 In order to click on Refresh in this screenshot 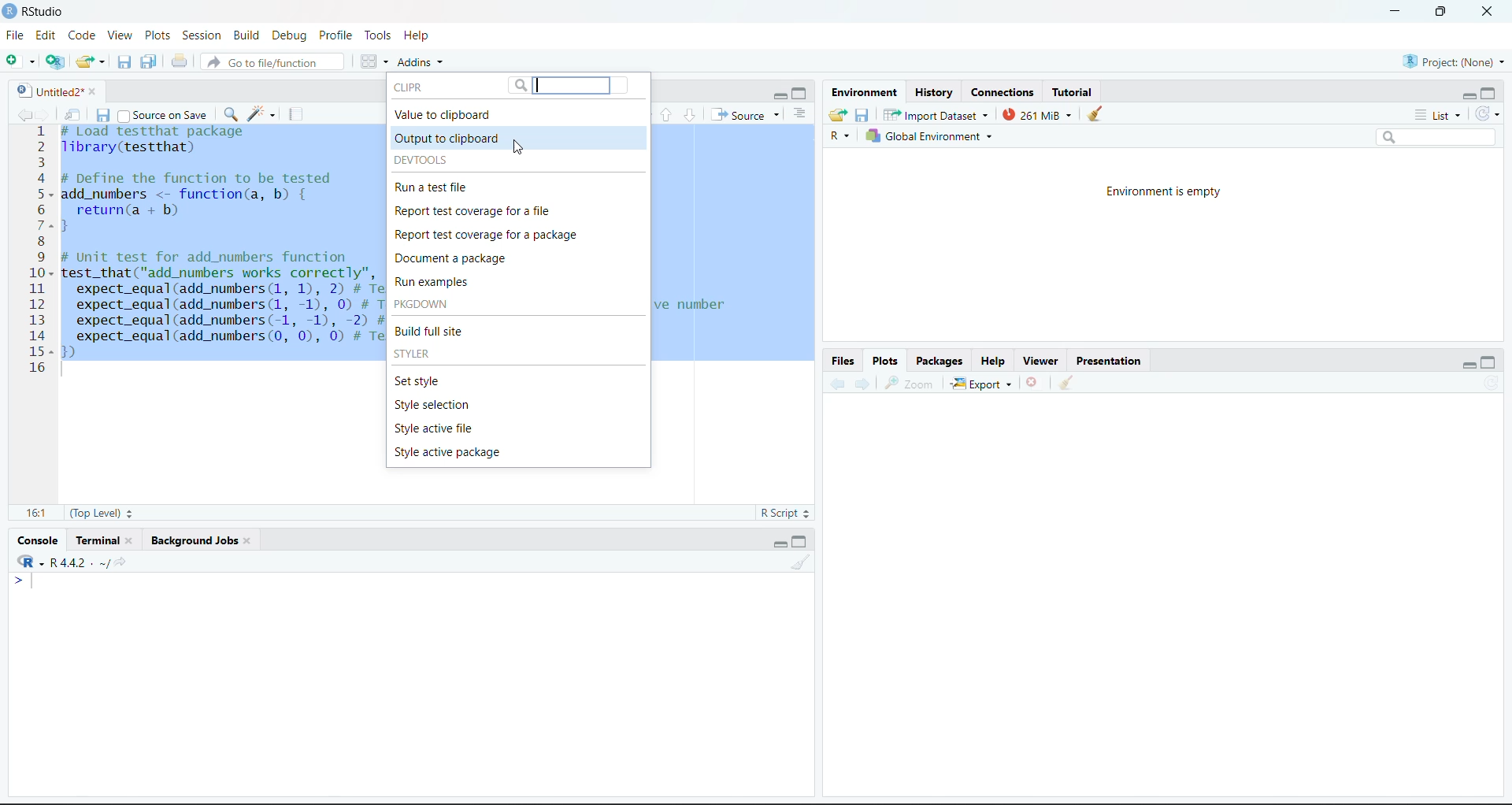, I will do `click(1485, 114)`.